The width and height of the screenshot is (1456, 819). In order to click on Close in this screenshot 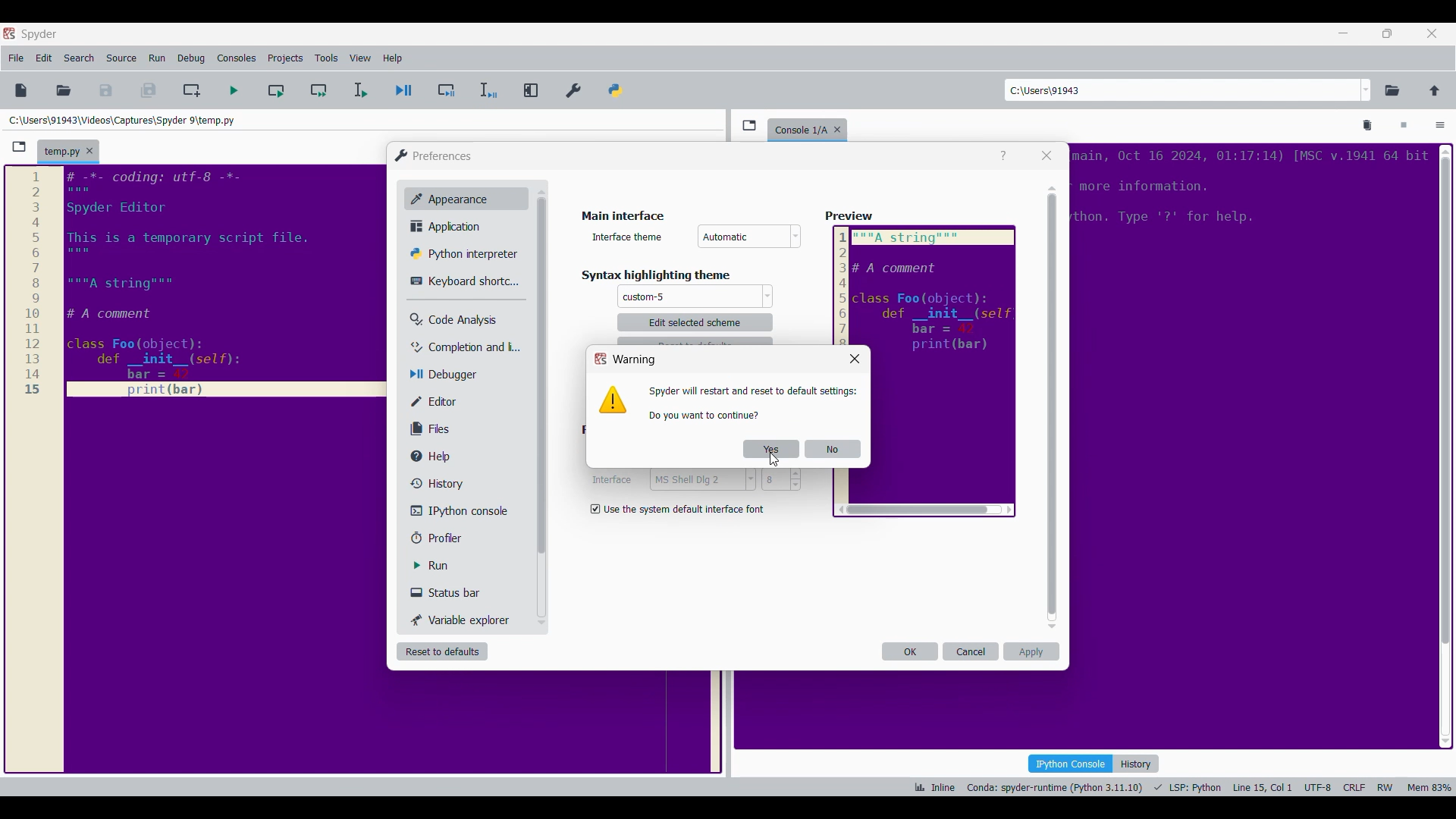, I will do `click(837, 129)`.